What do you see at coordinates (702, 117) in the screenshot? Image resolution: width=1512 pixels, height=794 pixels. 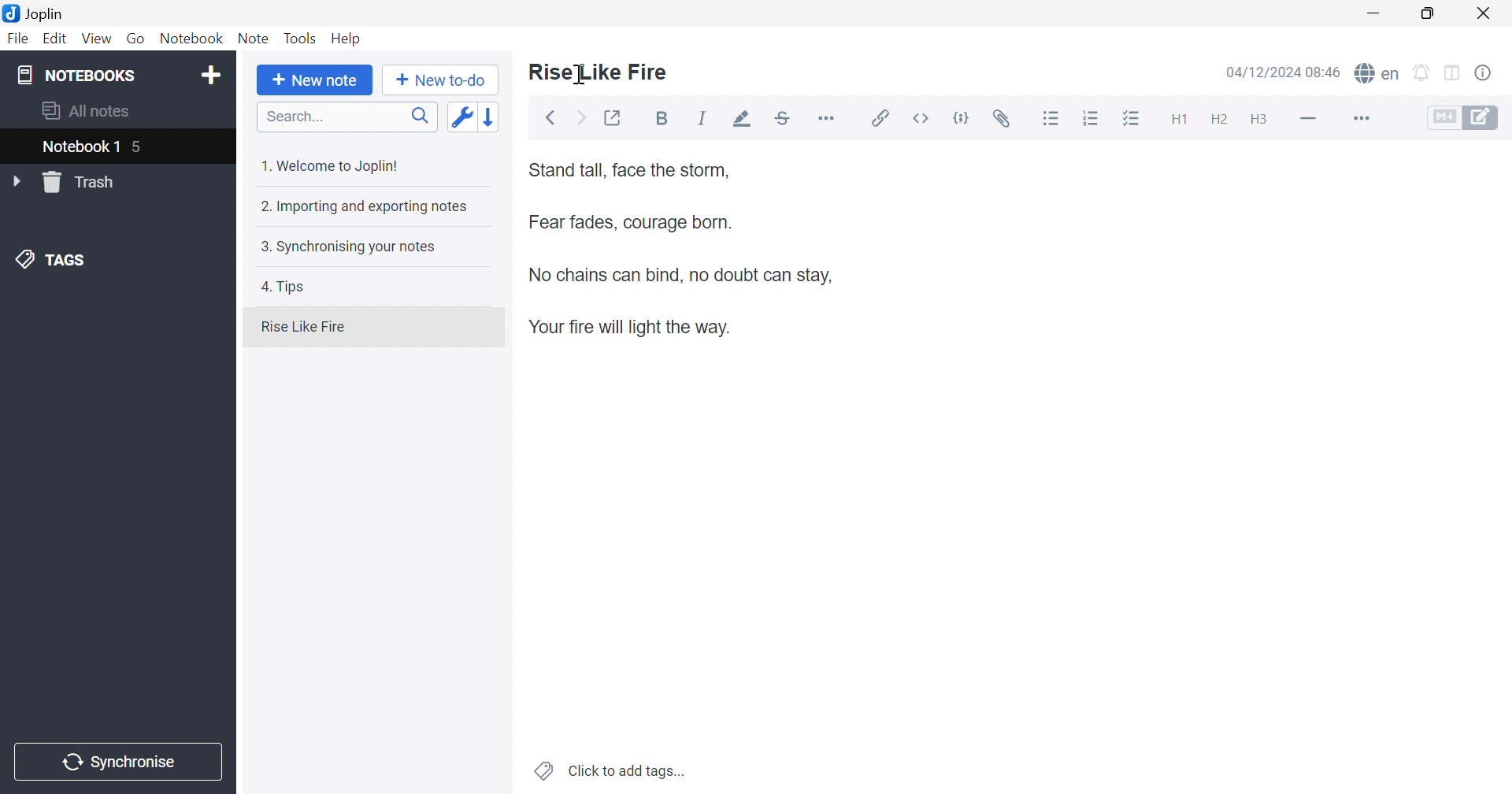 I see `Italic` at bounding box center [702, 117].